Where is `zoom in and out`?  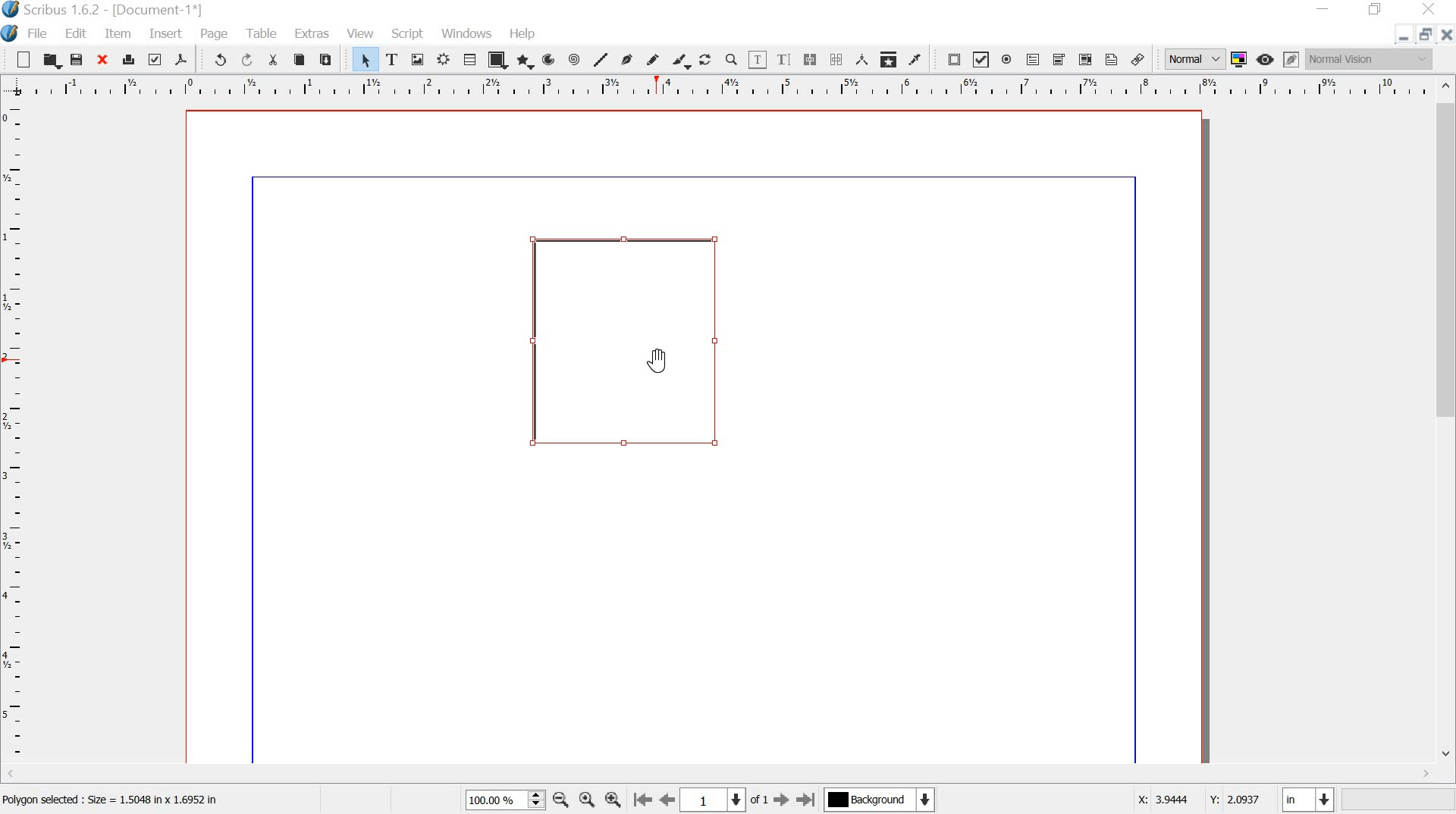
zoom in and out is located at coordinates (536, 799).